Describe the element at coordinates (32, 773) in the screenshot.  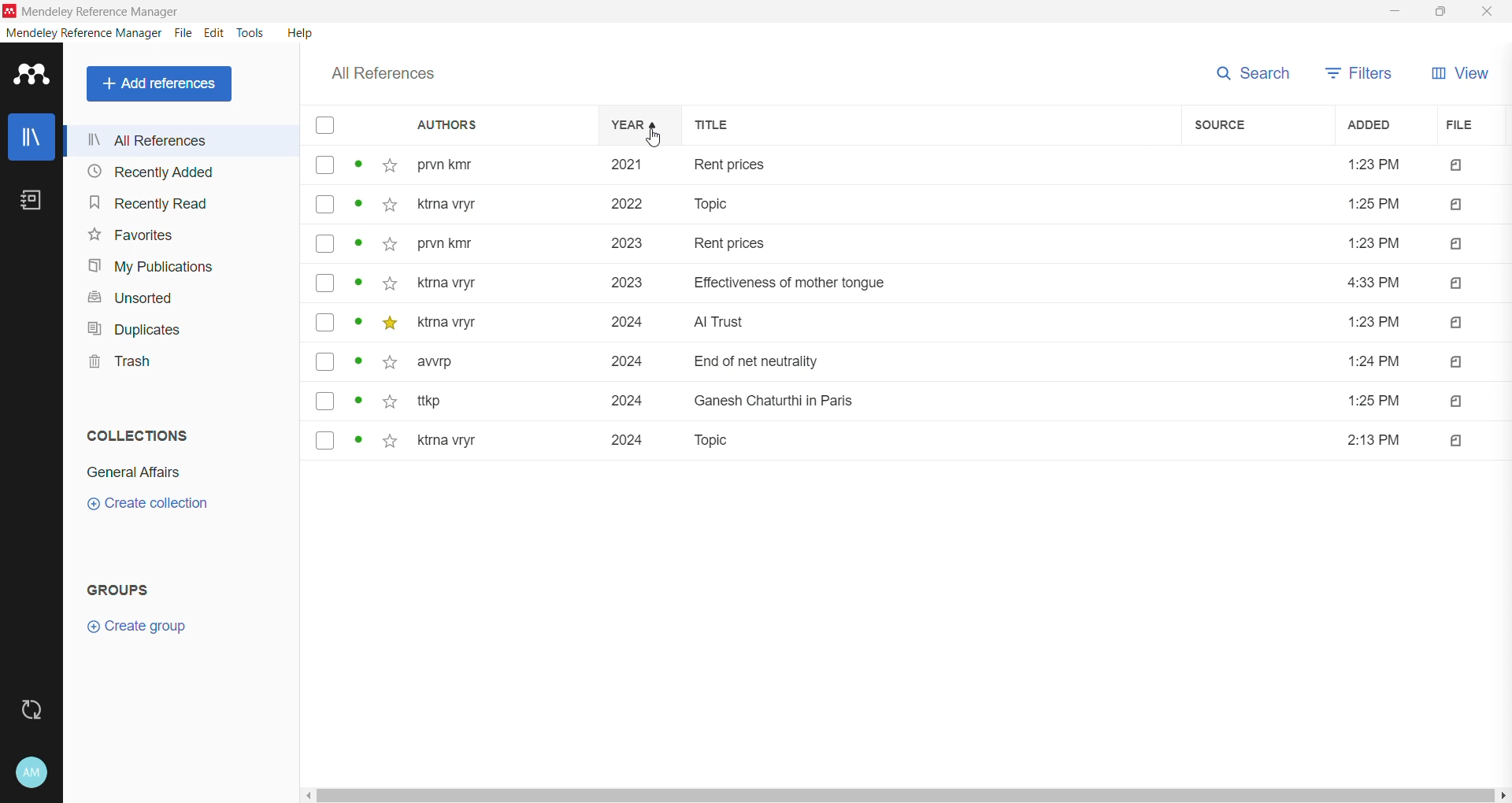
I see `Account and Help` at that location.